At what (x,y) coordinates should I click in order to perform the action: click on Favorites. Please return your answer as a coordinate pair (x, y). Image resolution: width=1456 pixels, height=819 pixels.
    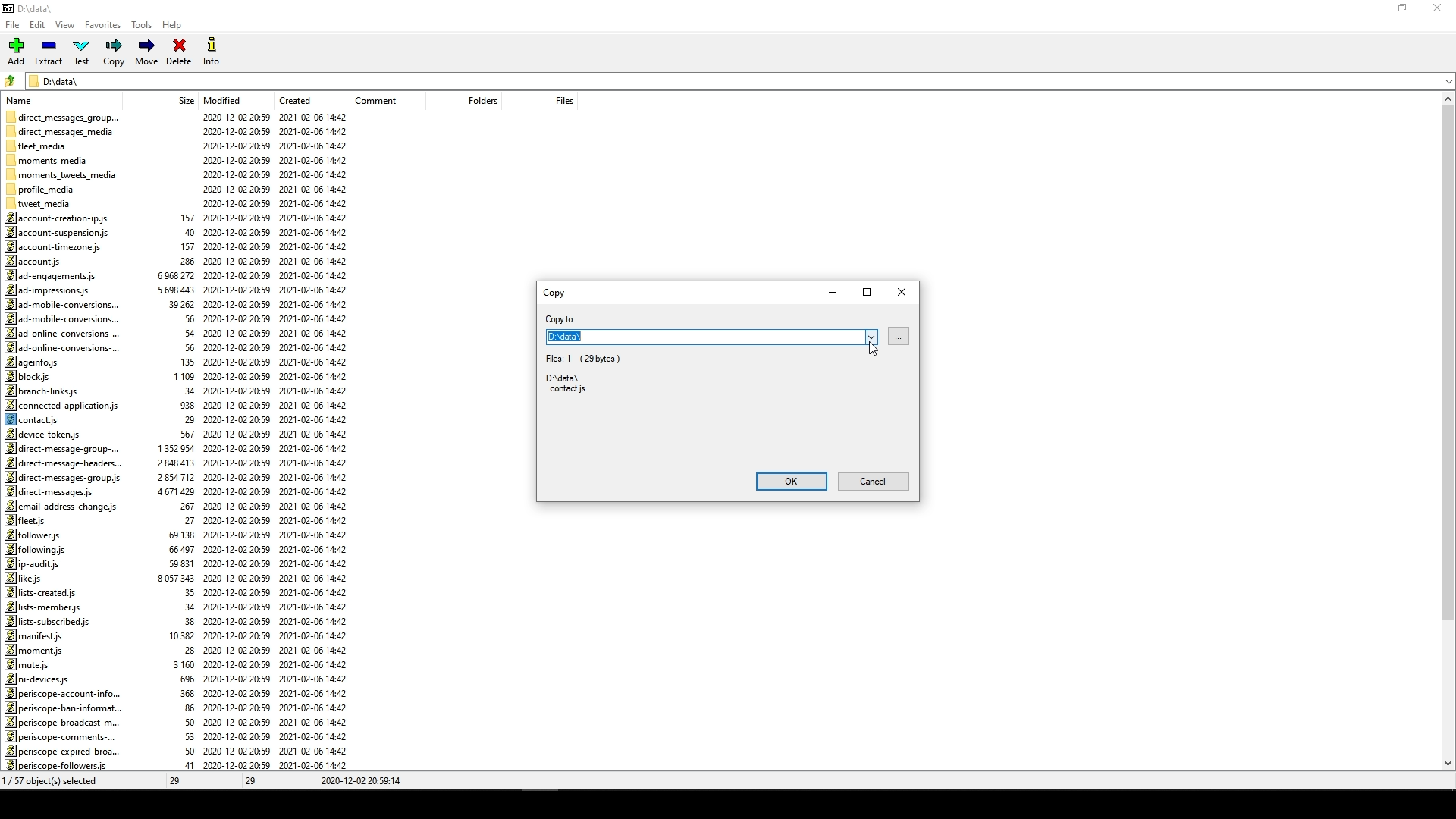
    Looking at the image, I should click on (103, 27).